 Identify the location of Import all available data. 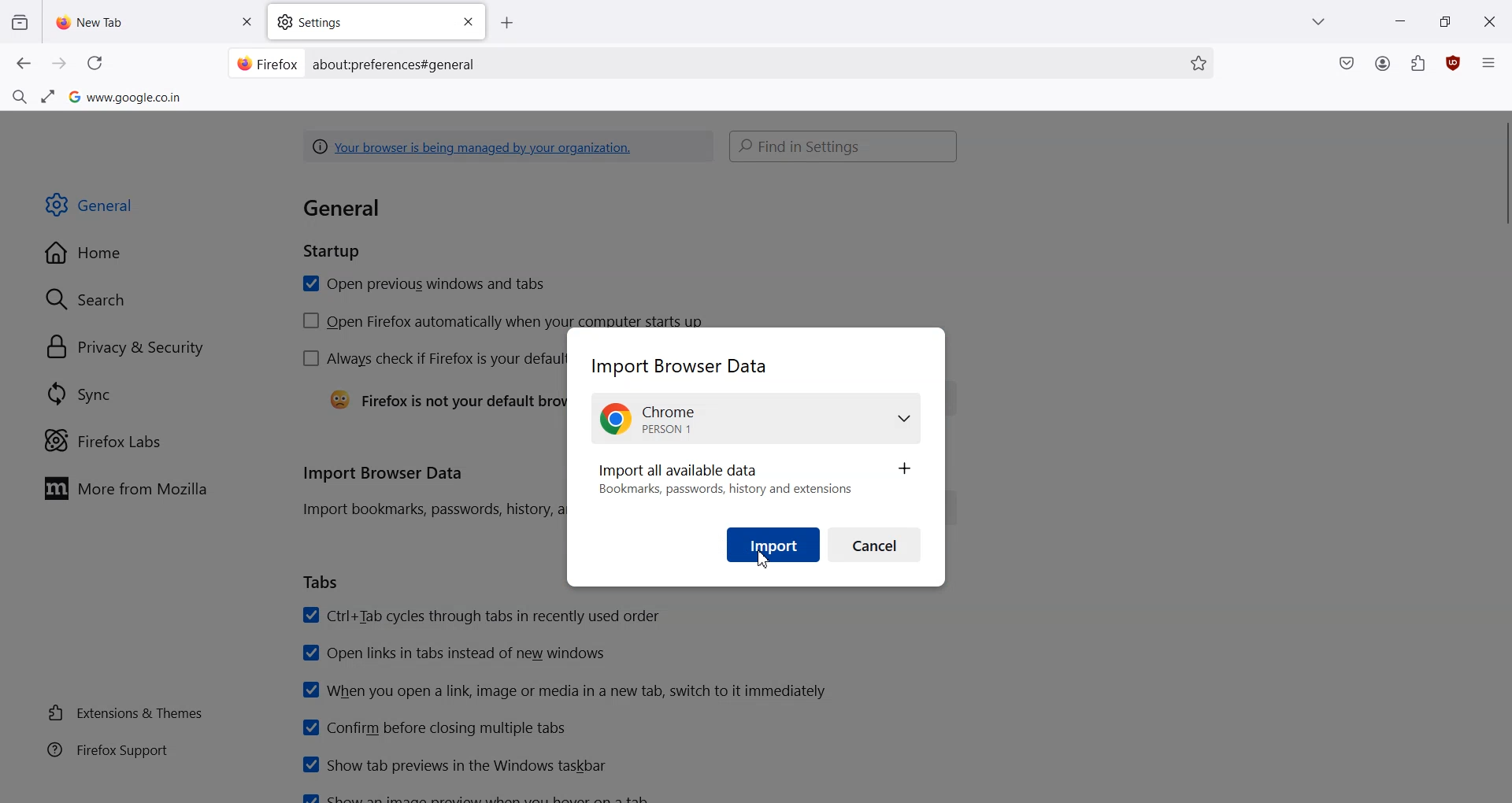
(755, 479).